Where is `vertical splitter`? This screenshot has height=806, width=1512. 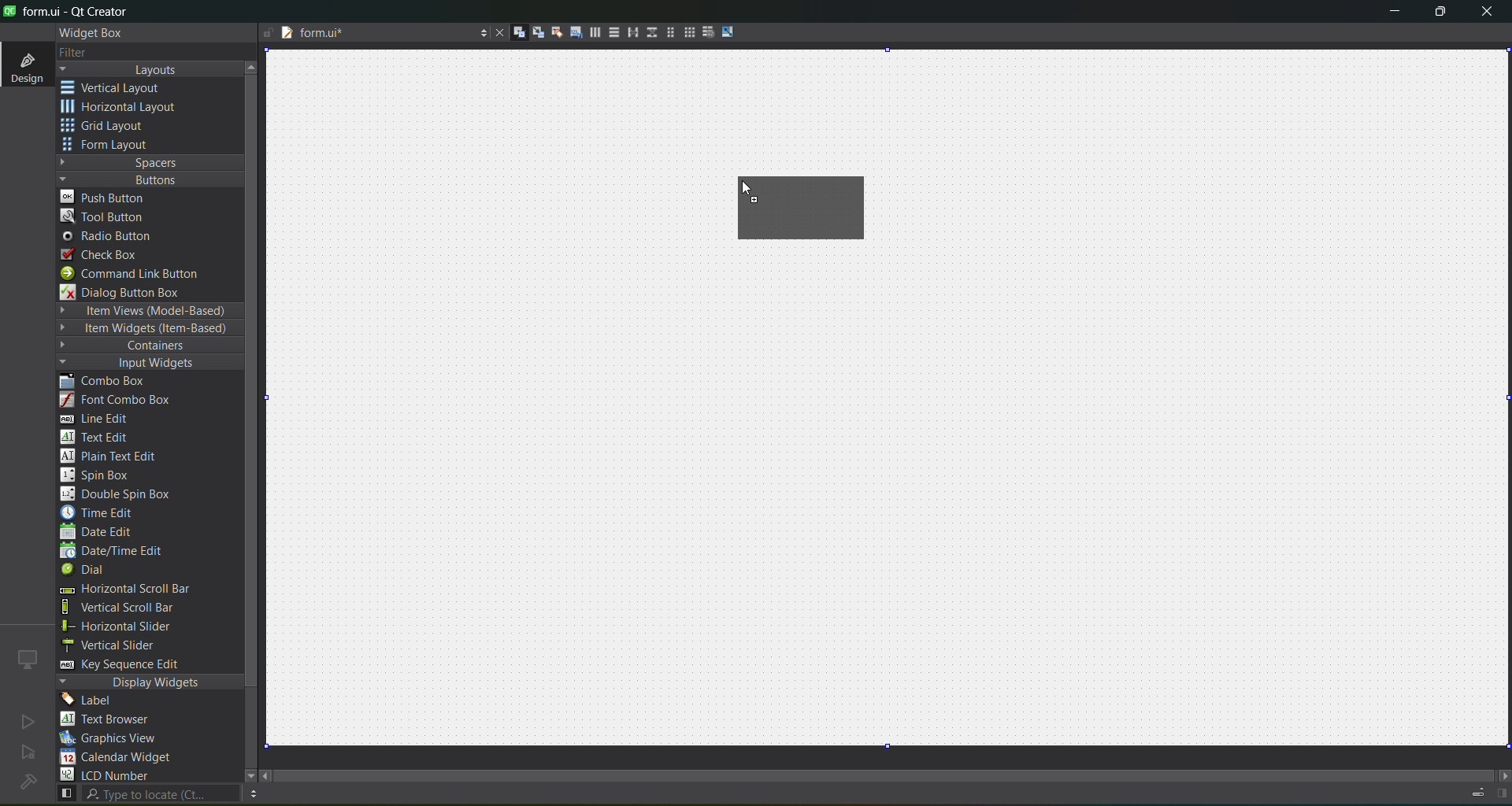 vertical splitter is located at coordinates (650, 35).